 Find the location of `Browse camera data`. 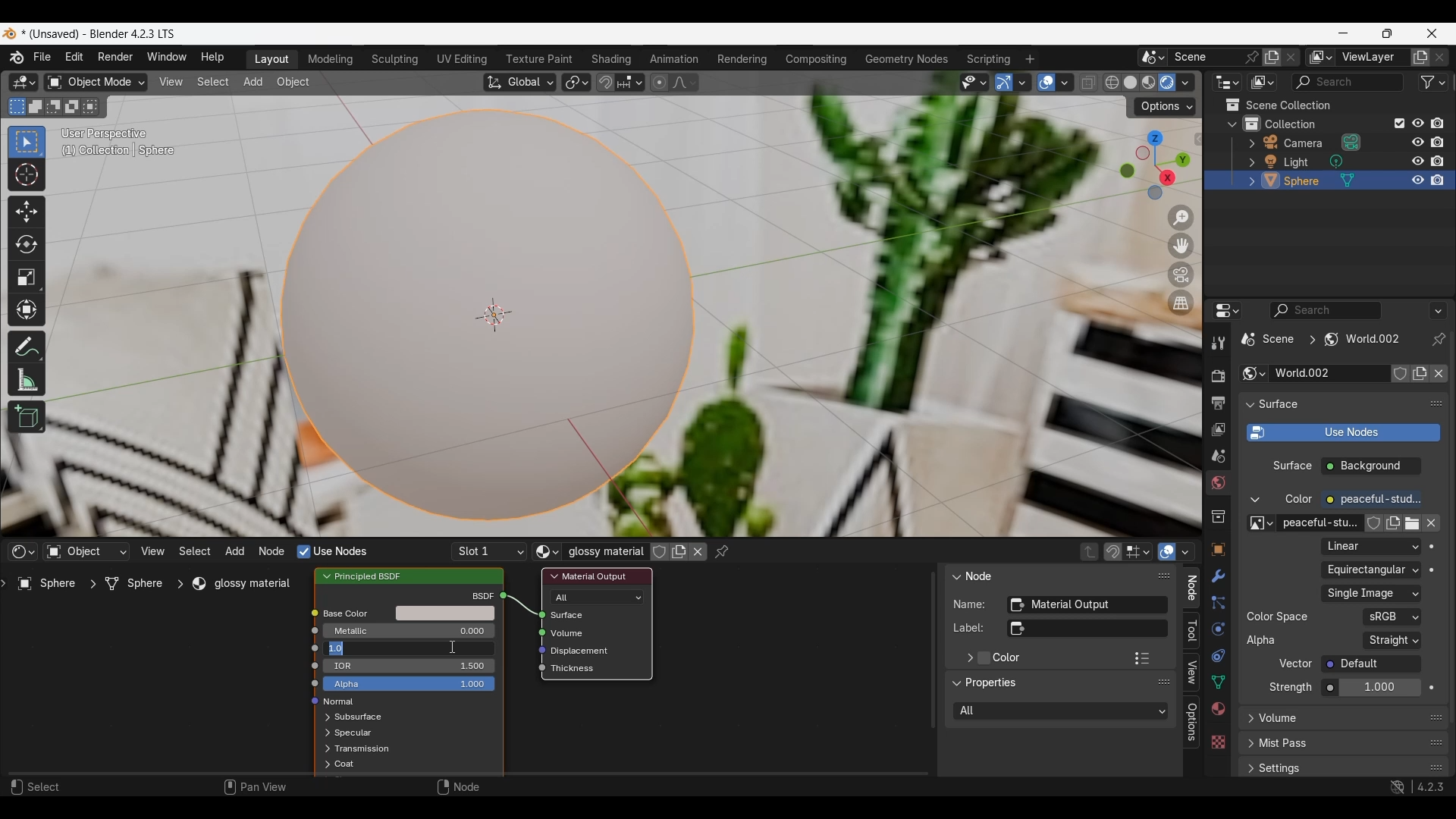

Browse camera data is located at coordinates (1351, 142).